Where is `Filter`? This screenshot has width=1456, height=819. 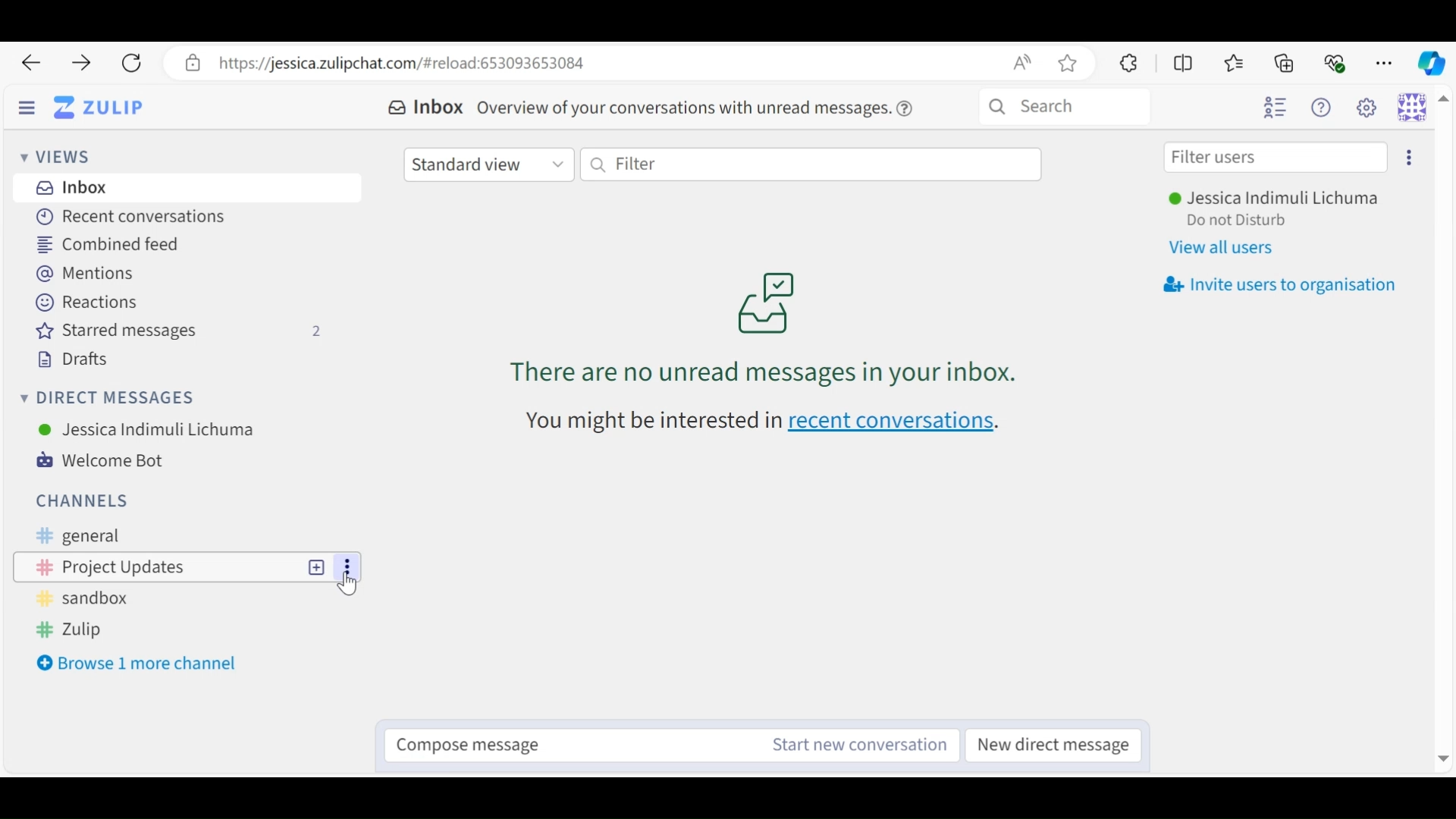
Filter is located at coordinates (811, 163).